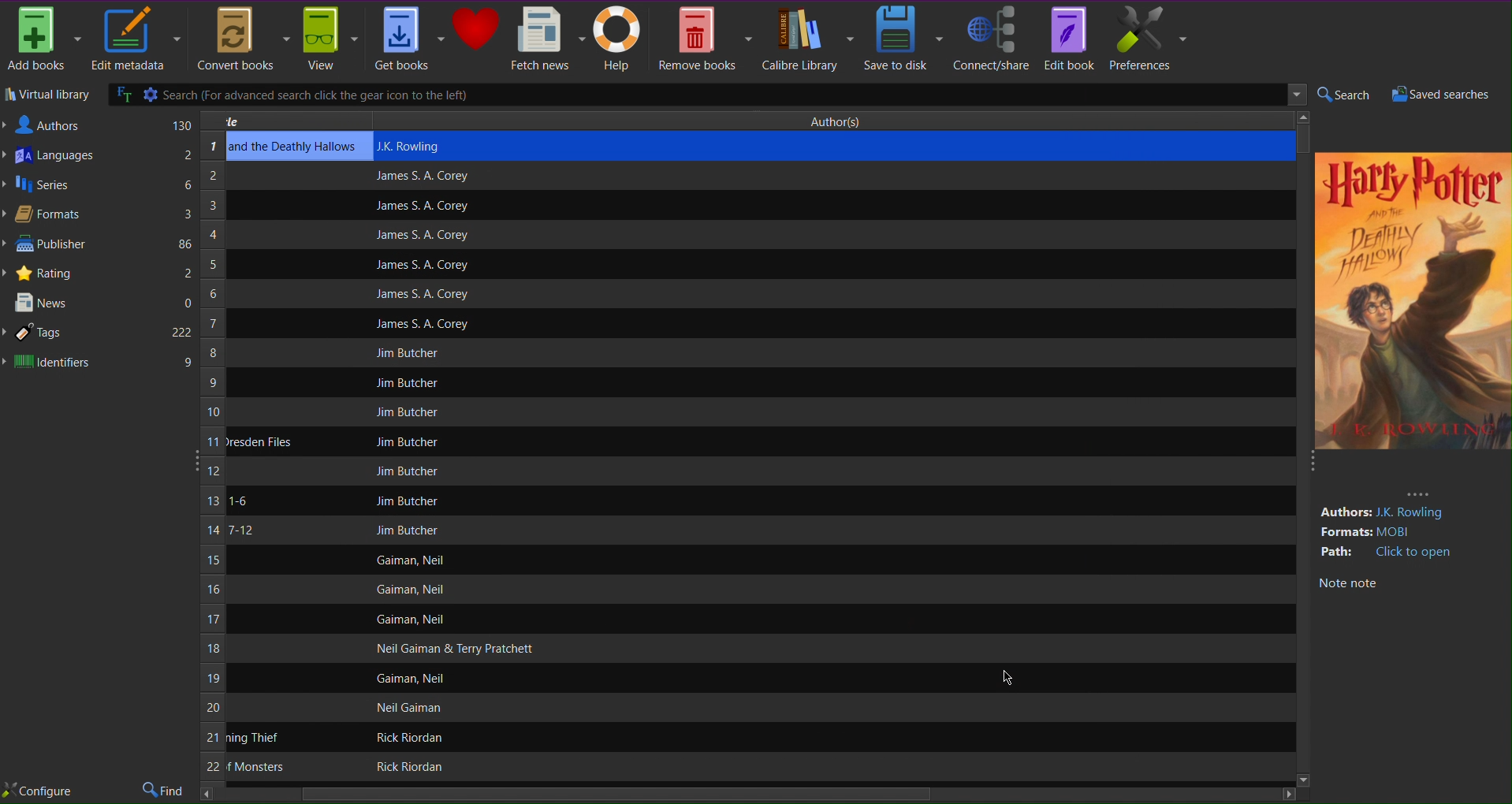  Describe the element at coordinates (807, 38) in the screenshot. I see `Calibre Library` at that location.